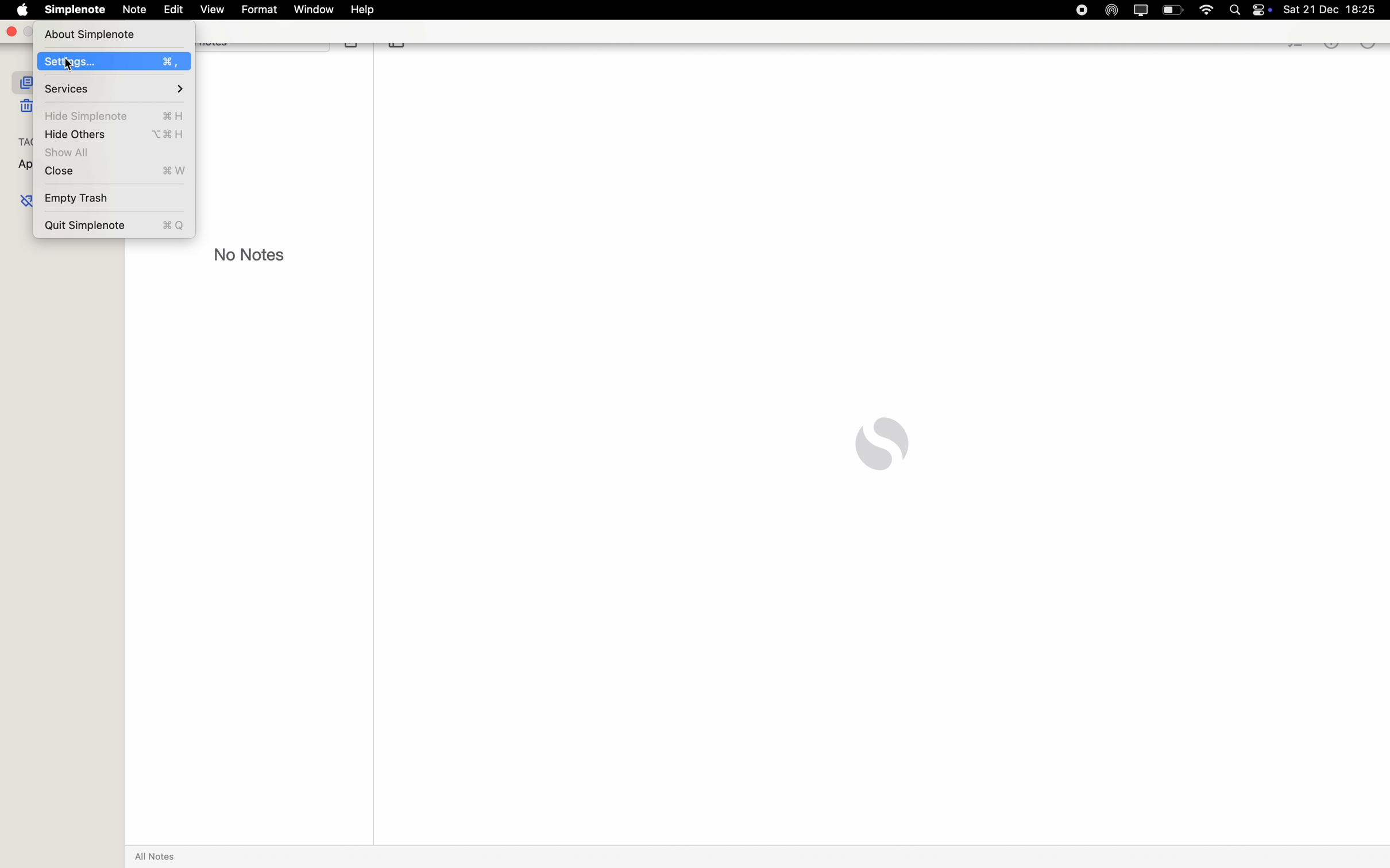 The width and height of the screenshot is (1390, 868). What do you see at coordinates (75, 9) in the screenshot?
I see `Simplenote` at bounding box center [75, 9].